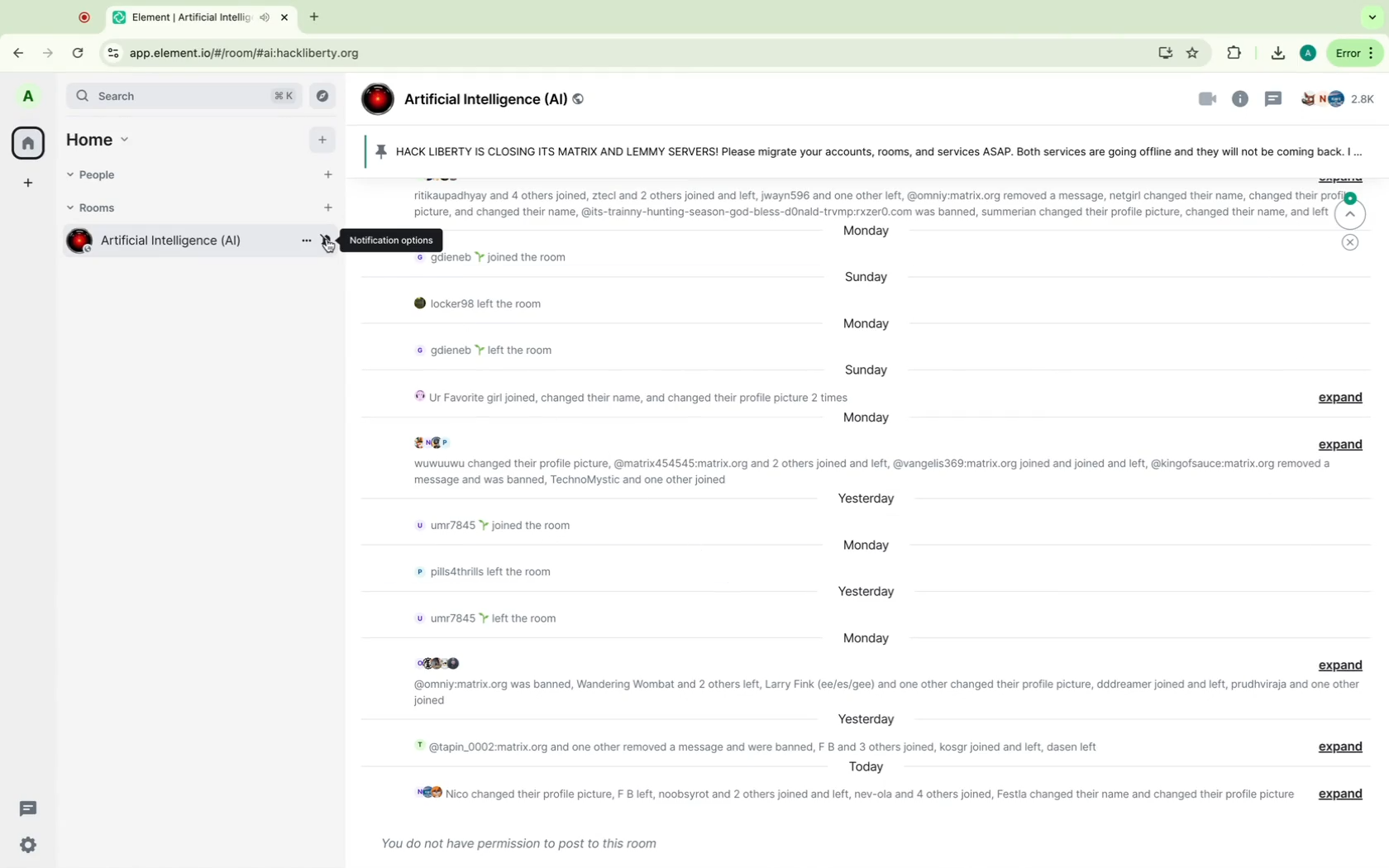  What do you see at coordinates (185, 98) in the screenshot?
I see `search` at bounding box center [185, 98].